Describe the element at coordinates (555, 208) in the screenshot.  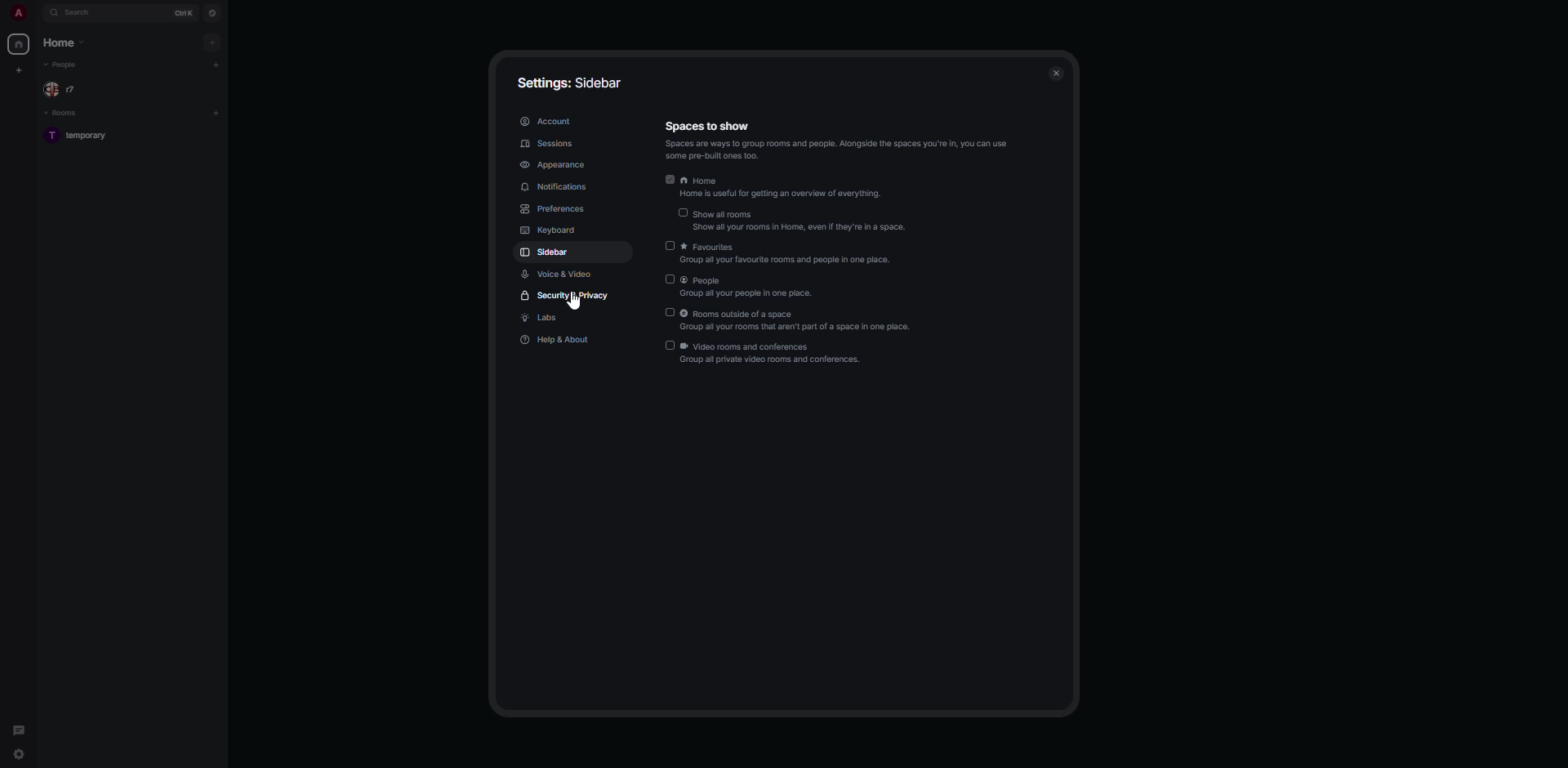
I see `preferences` at that location.